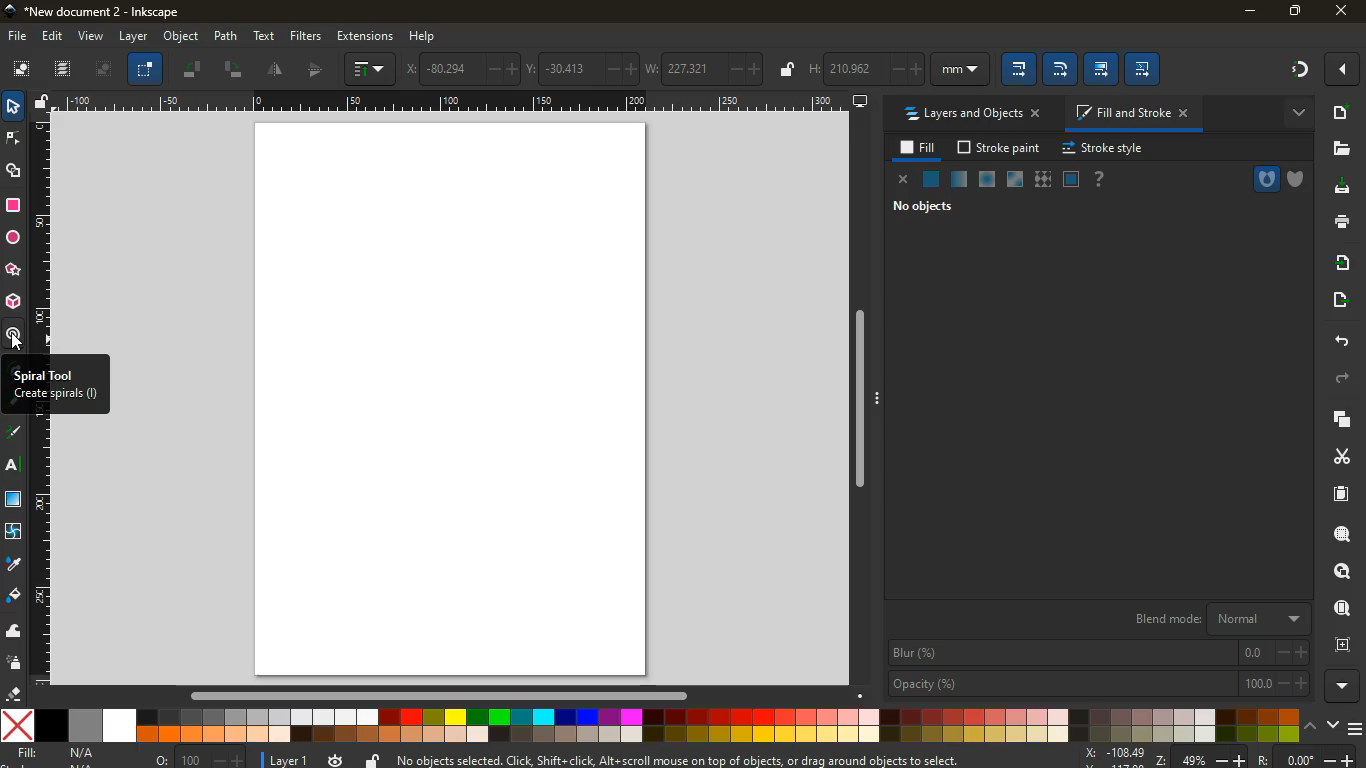  Describe the element at coordinates (15, 173) in the screenshot. I see `shape` at that location.